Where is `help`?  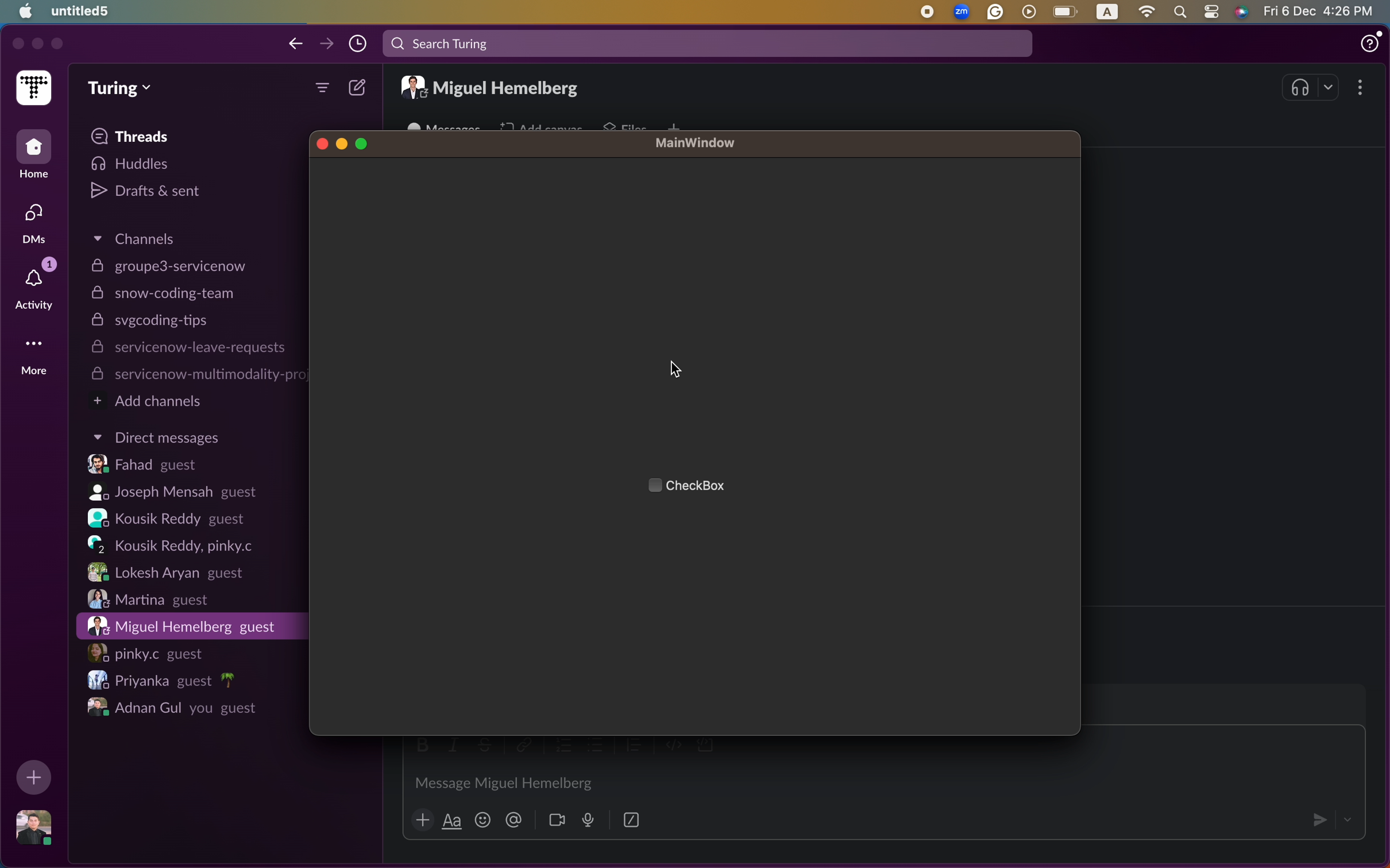 help is located at coordinates (1370, 42).